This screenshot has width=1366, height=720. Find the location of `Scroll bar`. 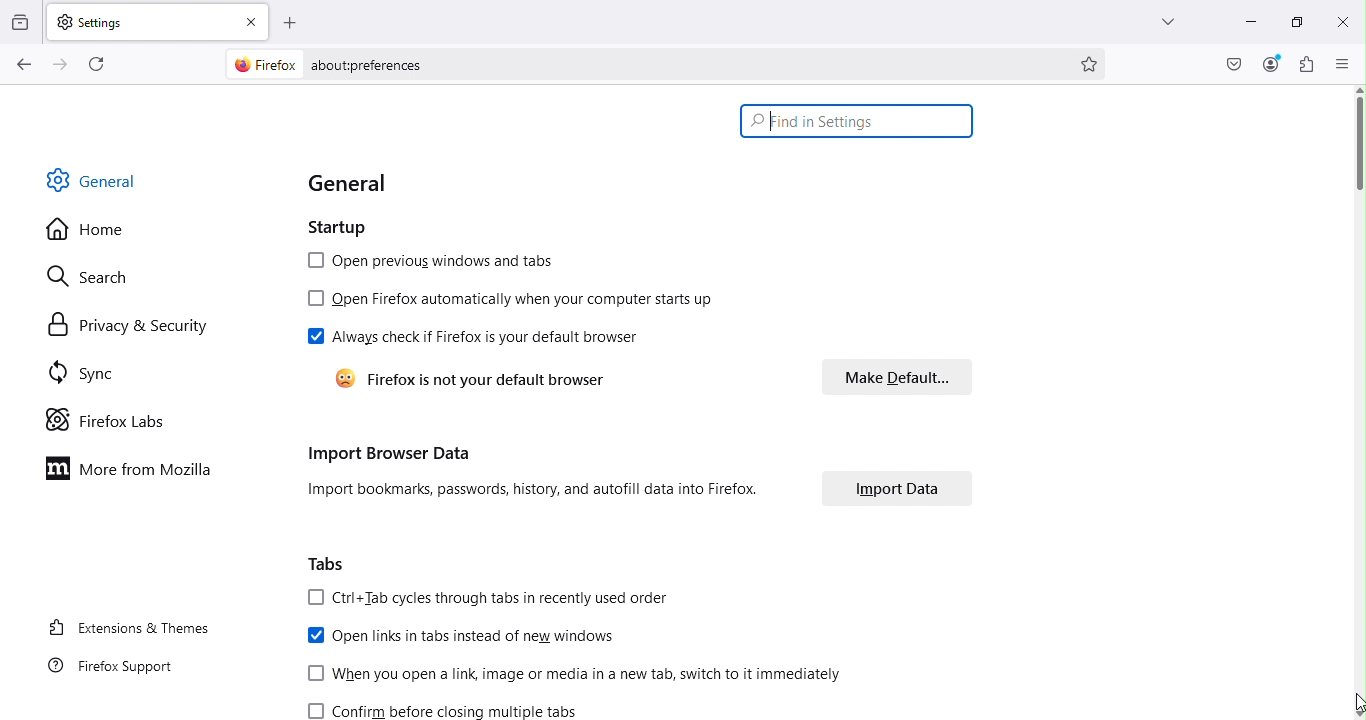

Scroll bar is located at coordinates (1358, 401).